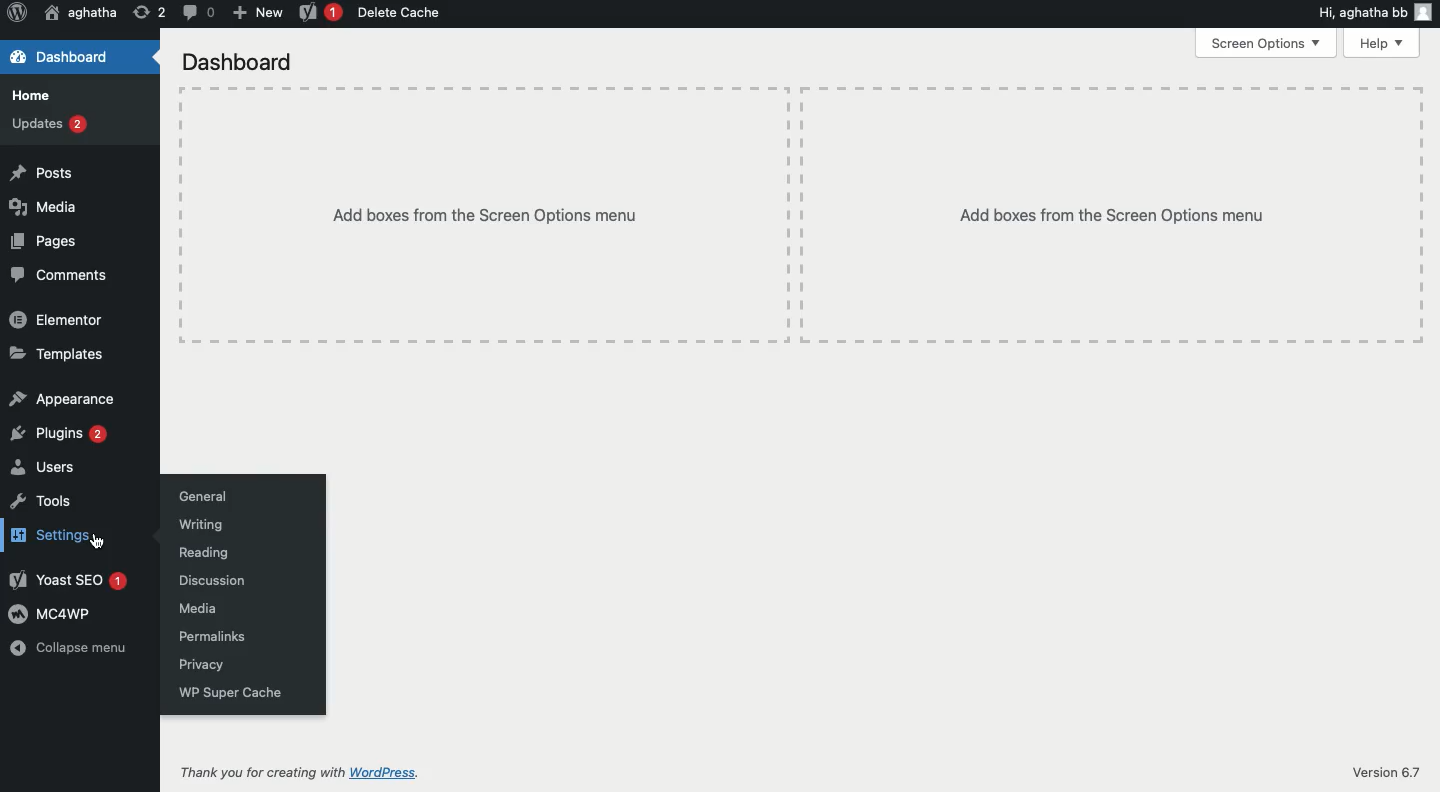  What do you see at coordinates (794, 212) in the screenshot?
I see `Table line` at bounding box center [794, 212].